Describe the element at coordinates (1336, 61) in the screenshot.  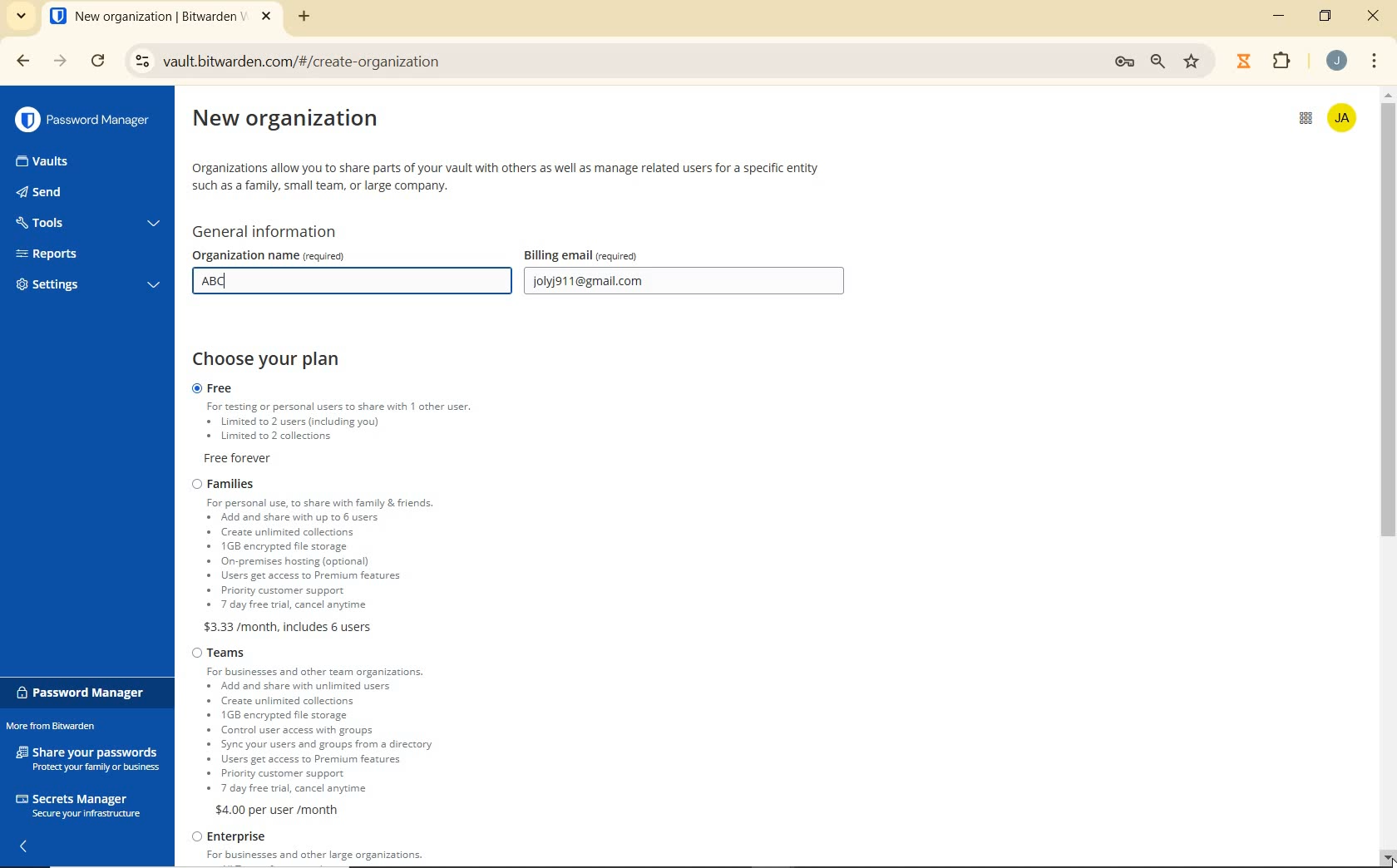
I see `account name` at that location.